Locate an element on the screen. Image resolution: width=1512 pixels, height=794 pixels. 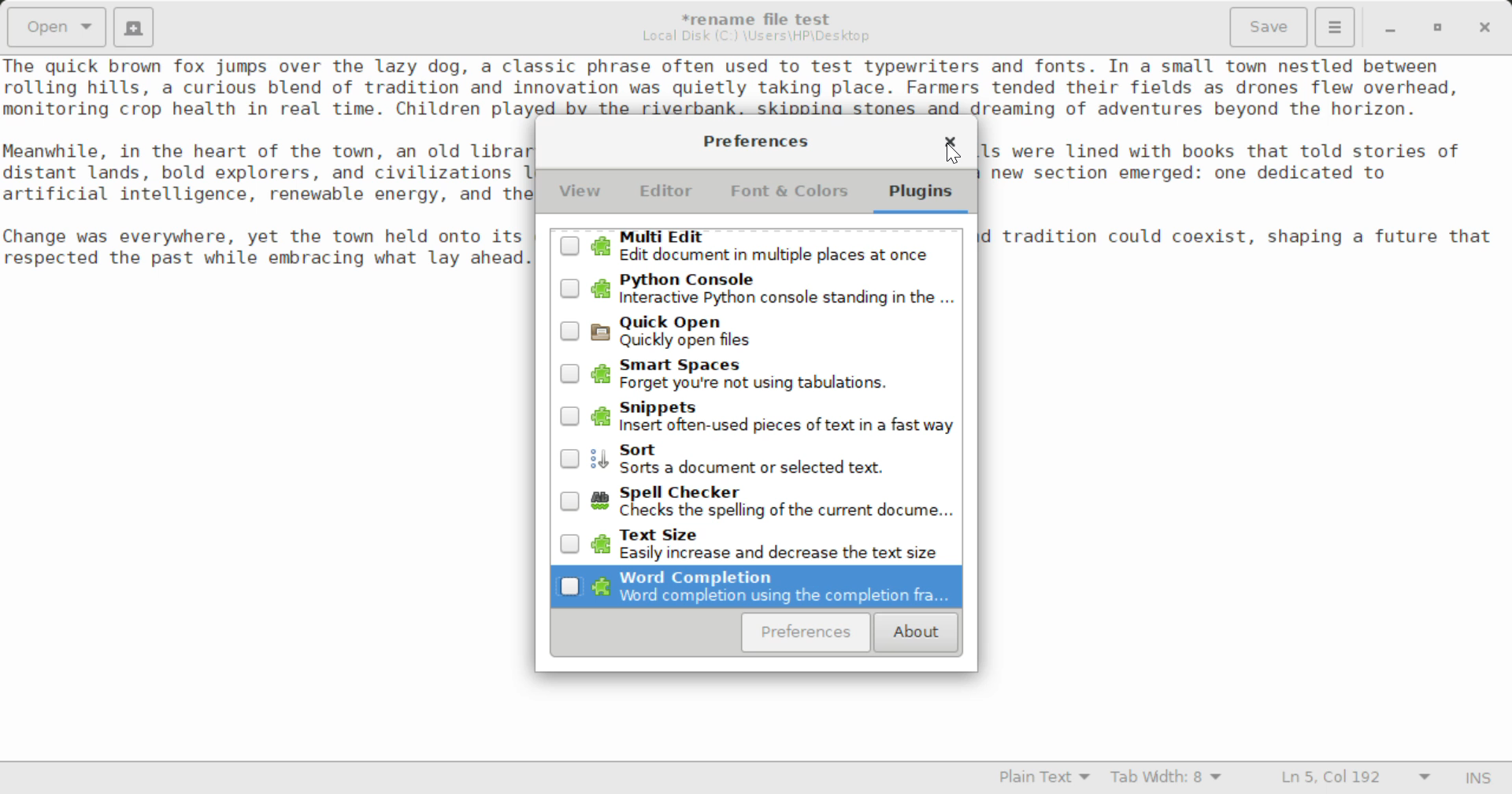
Close Window is located at coordinates (950, 144).